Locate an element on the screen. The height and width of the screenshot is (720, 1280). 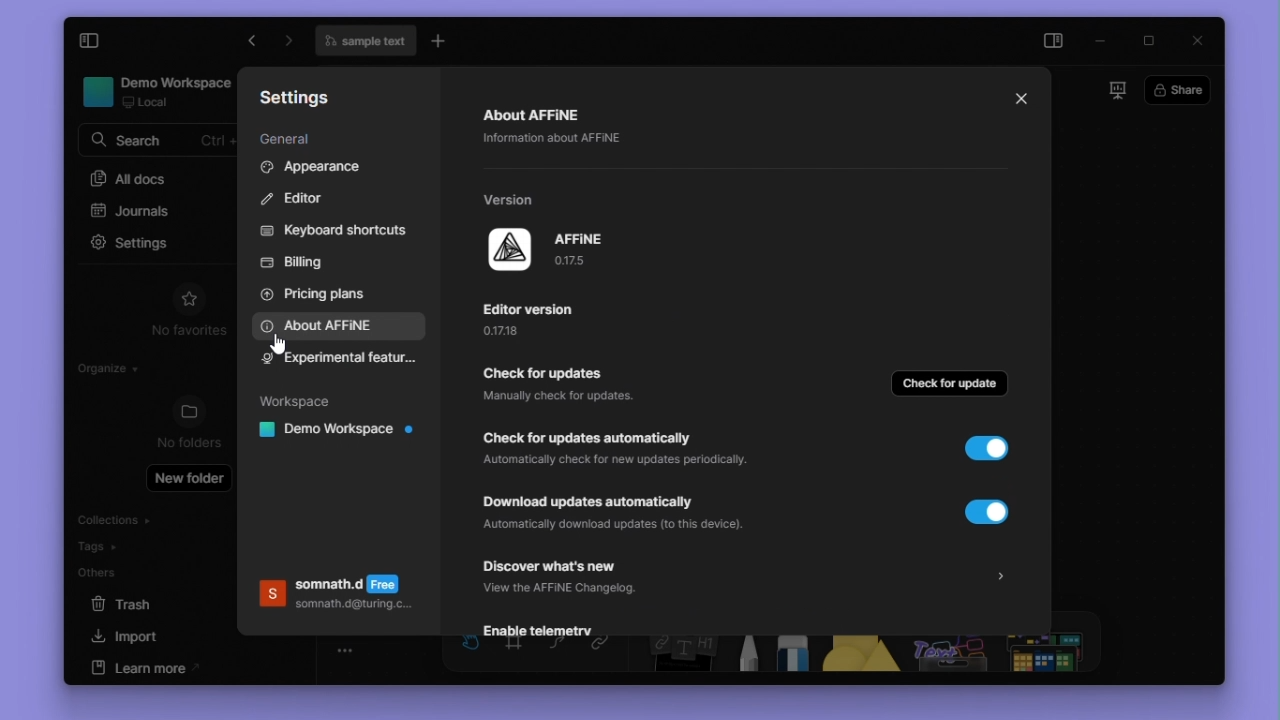
new tab is located at coordinates (442, 42).